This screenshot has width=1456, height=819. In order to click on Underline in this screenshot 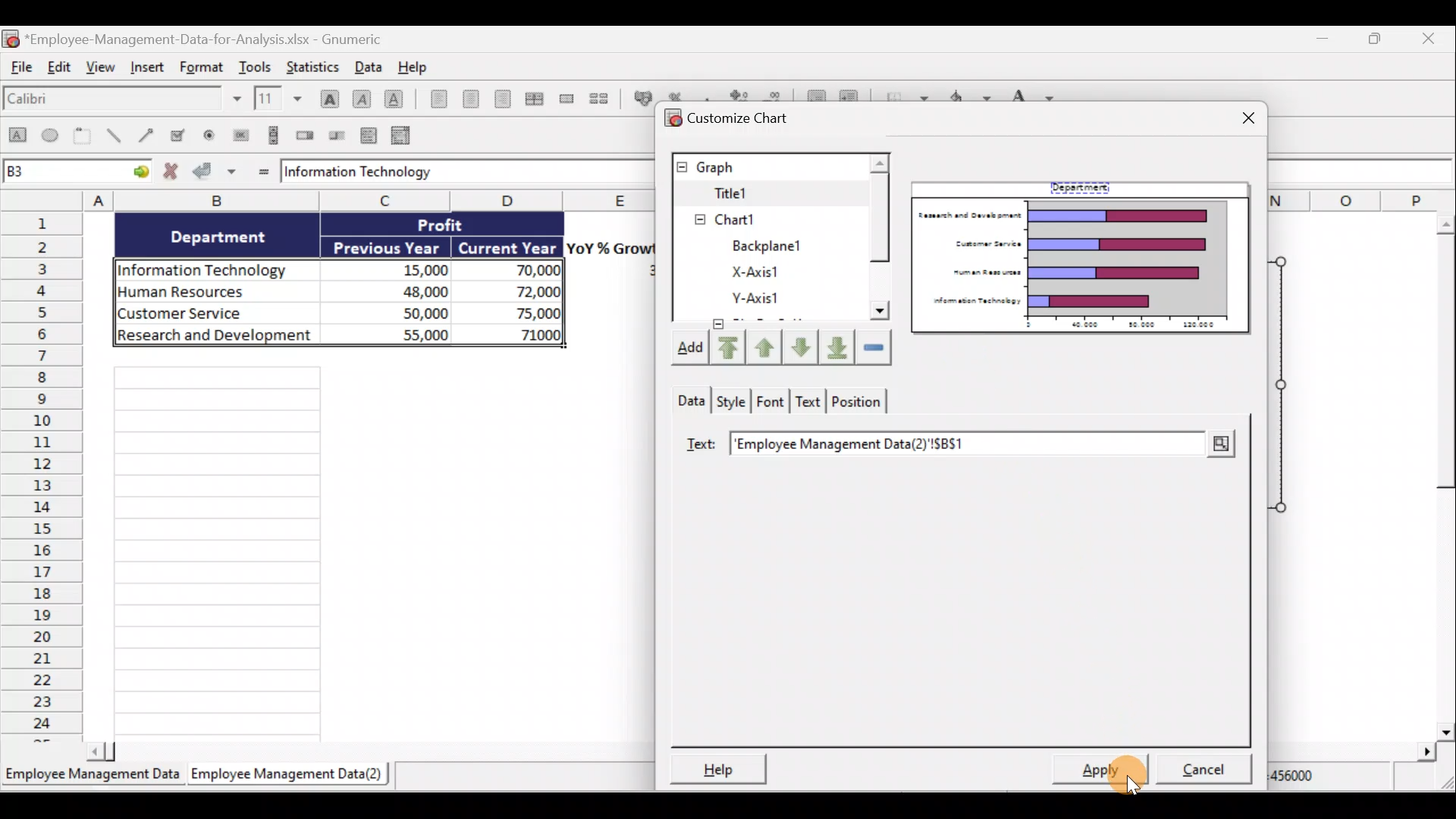, I will do `click(394, 96)`.